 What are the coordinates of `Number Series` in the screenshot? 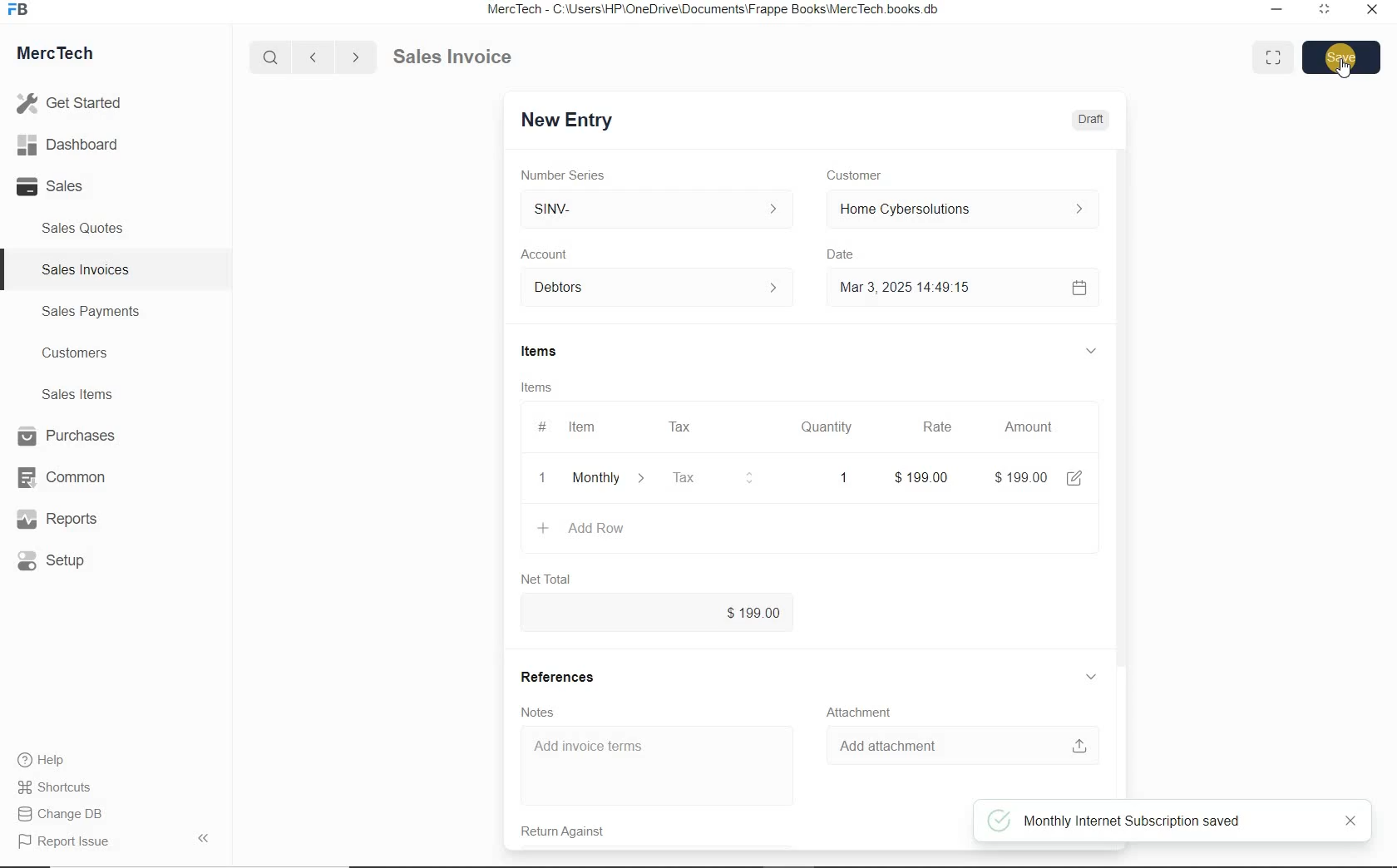 It's located at (568, 175).